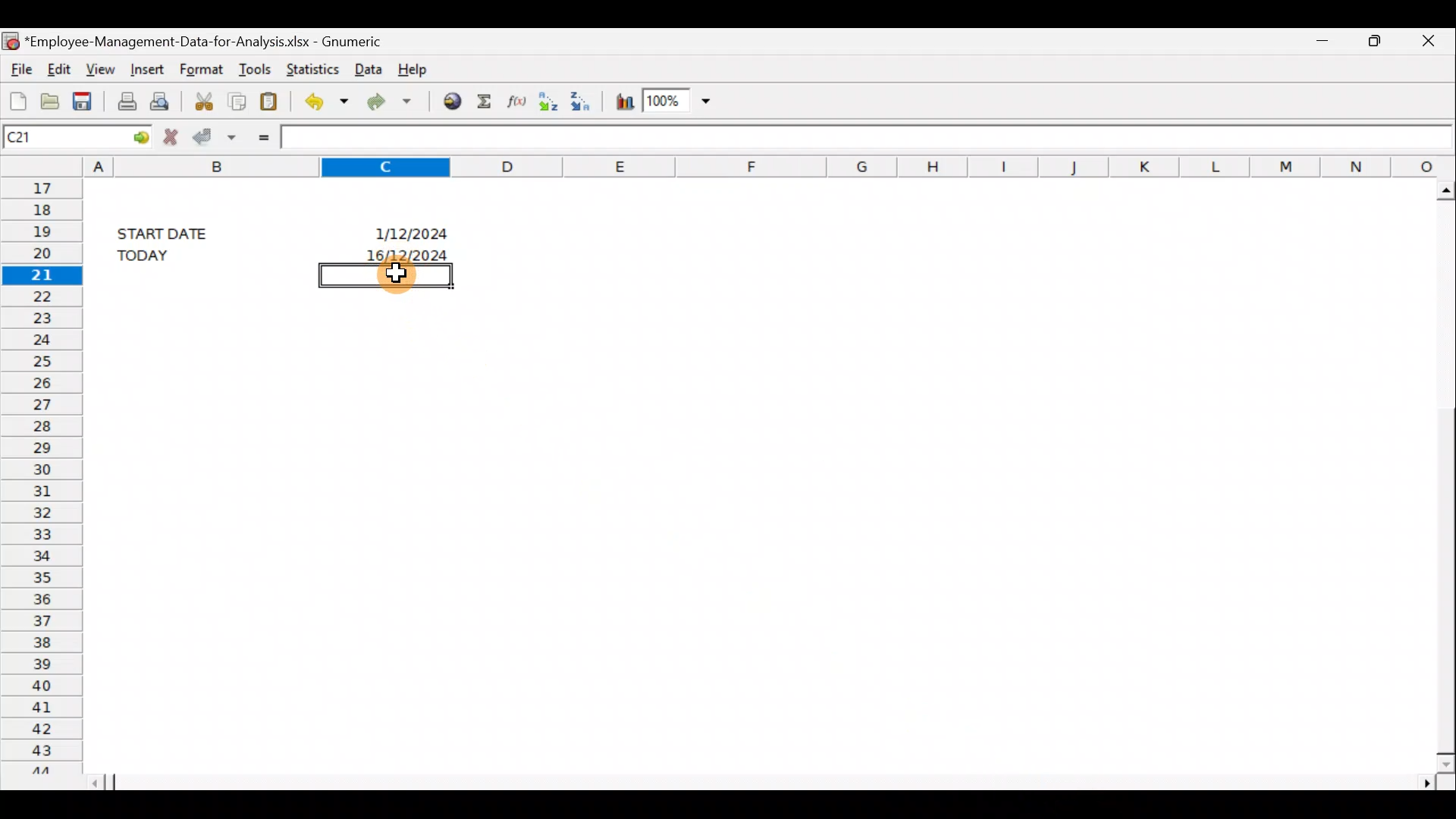 The height and width of the screenshot is (819, 1456). What do you see at coordinates (584, 101) in the screenshot?
I see `Sort in descending order` at bounding box center [584, 101].